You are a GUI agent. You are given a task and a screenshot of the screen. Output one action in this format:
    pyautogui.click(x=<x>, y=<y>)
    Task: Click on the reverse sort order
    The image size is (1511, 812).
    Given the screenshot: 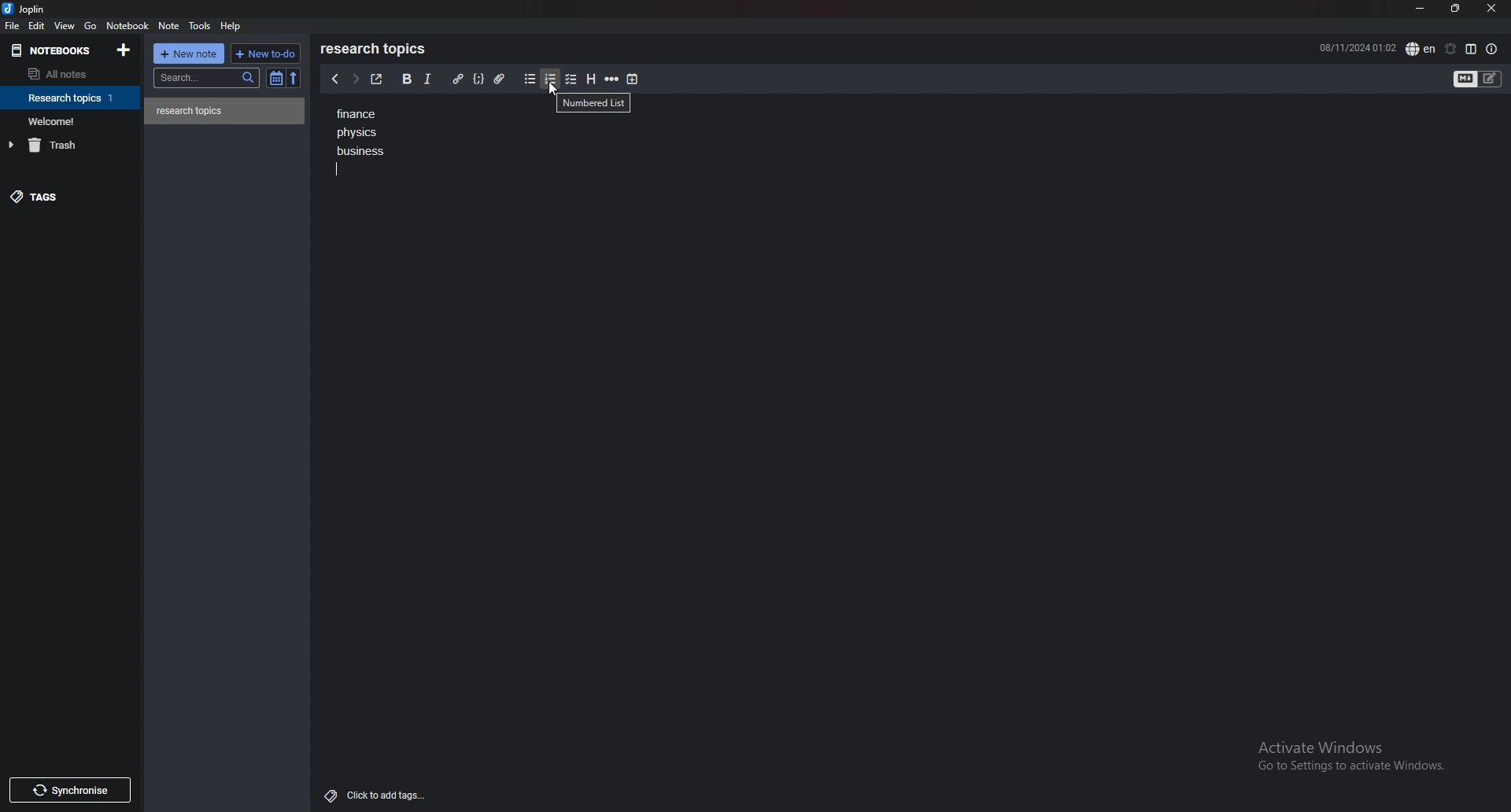 What is the action you would take?
    pyautogui.click(x=293, y=78)
    